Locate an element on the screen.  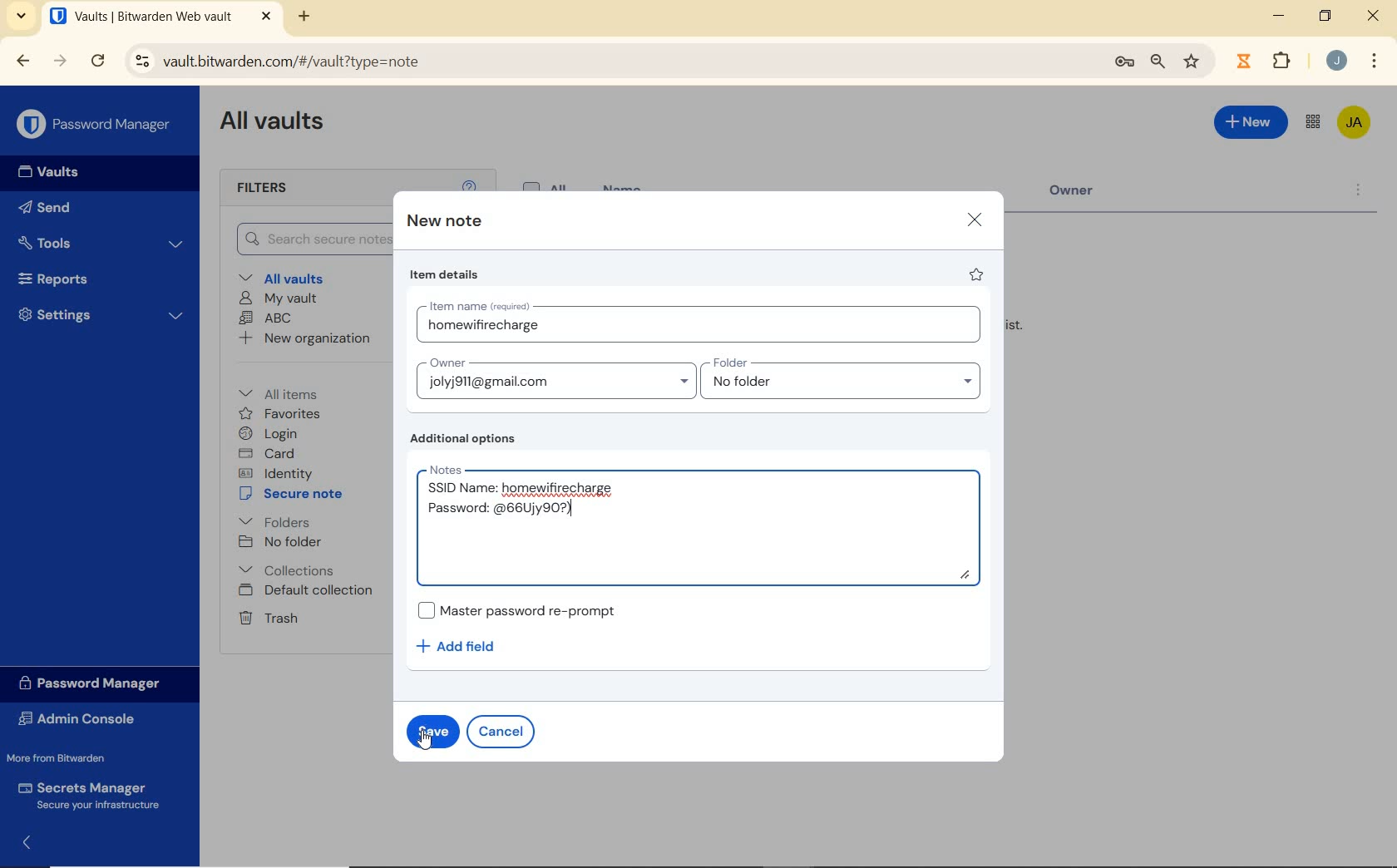
secure note is located at coordinates (294, 494).